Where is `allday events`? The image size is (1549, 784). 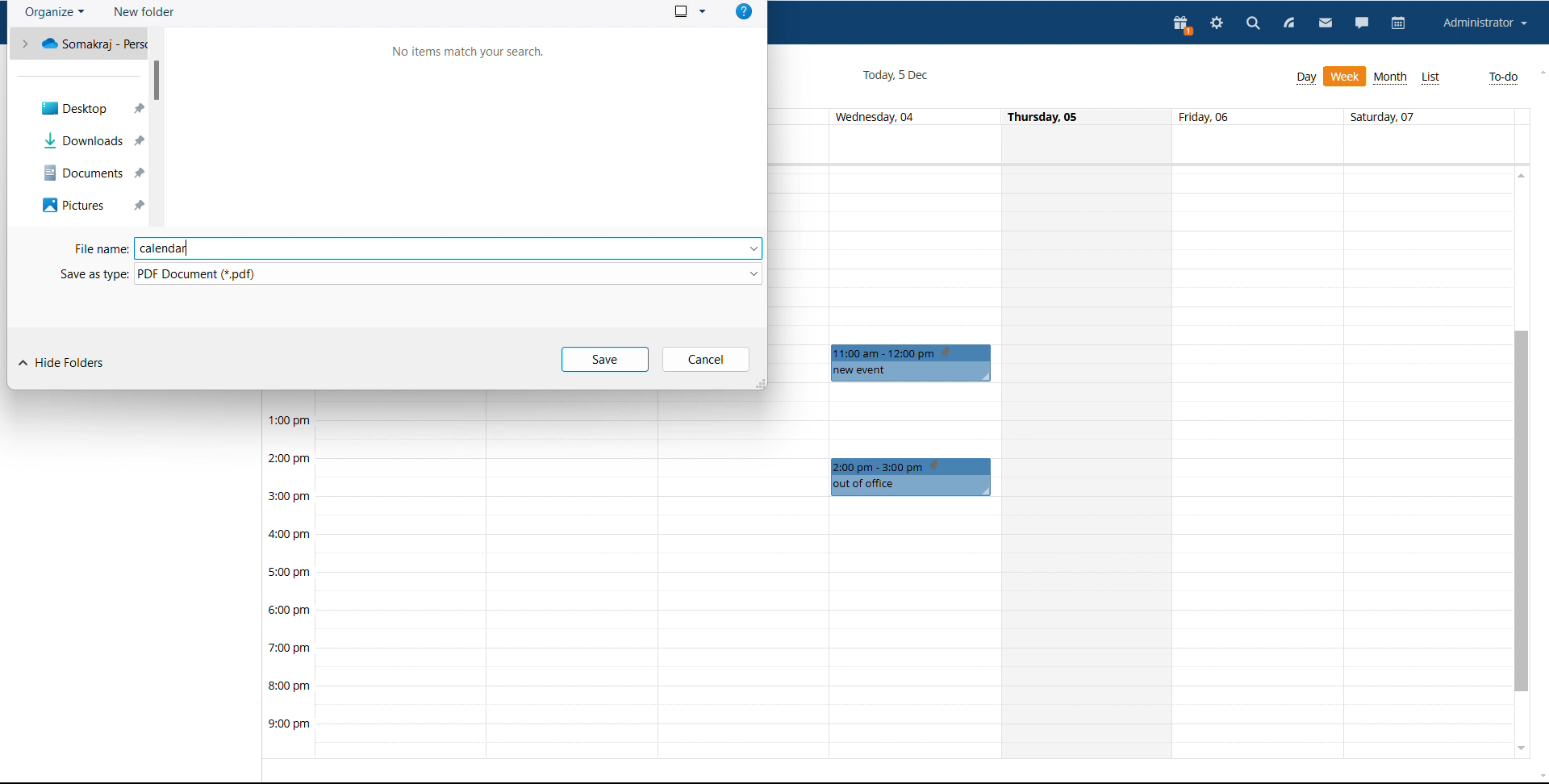 allday events is located at coordinates (1146, 144).